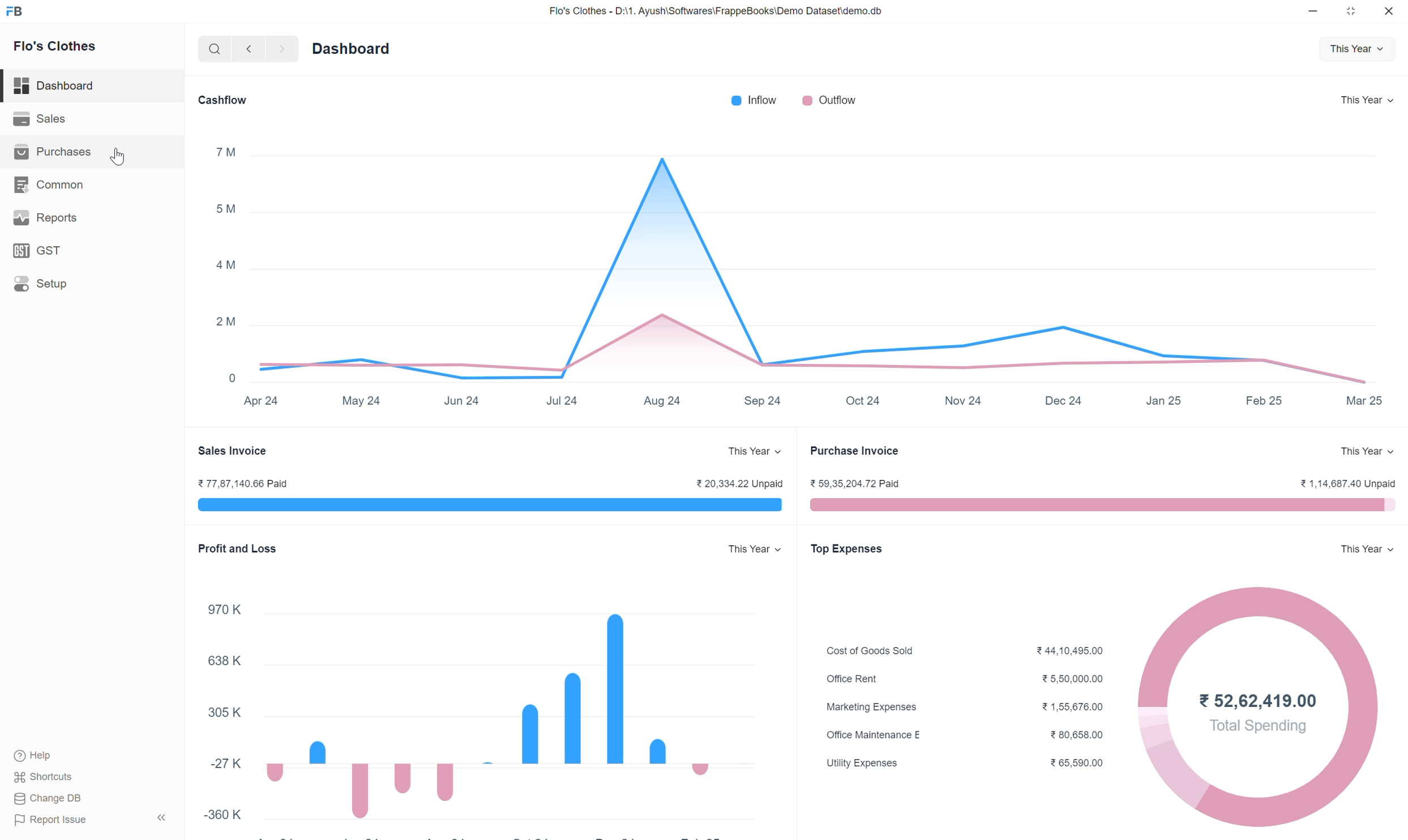 This screenshot has height=840, width=1408. What do you see at coordinates (1072, 706) in the screenshot?
I see `1,55,676.00` at bounding box center [1072, 706].